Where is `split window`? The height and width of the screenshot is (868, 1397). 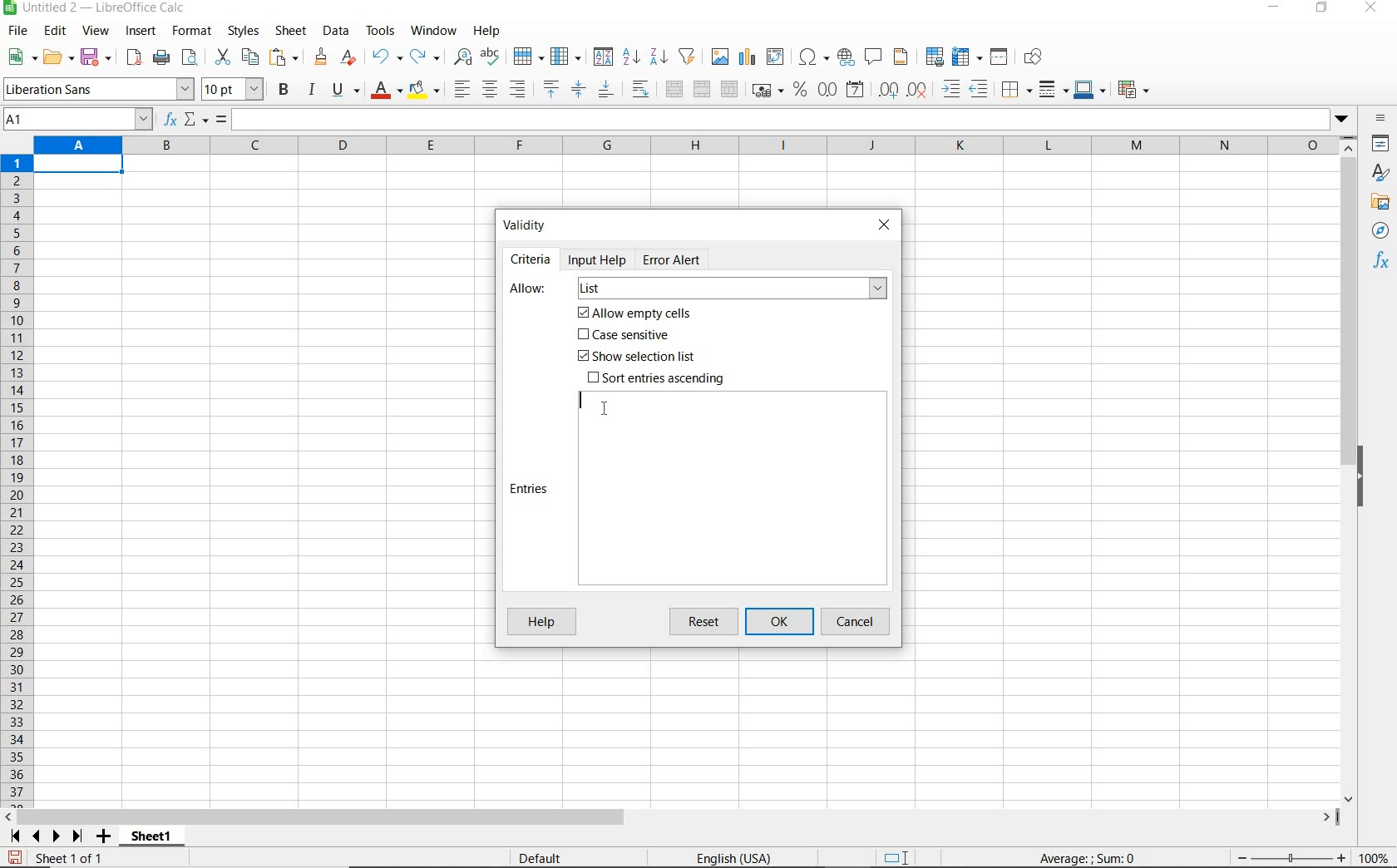 split window is located at coordinates (1000, 57).